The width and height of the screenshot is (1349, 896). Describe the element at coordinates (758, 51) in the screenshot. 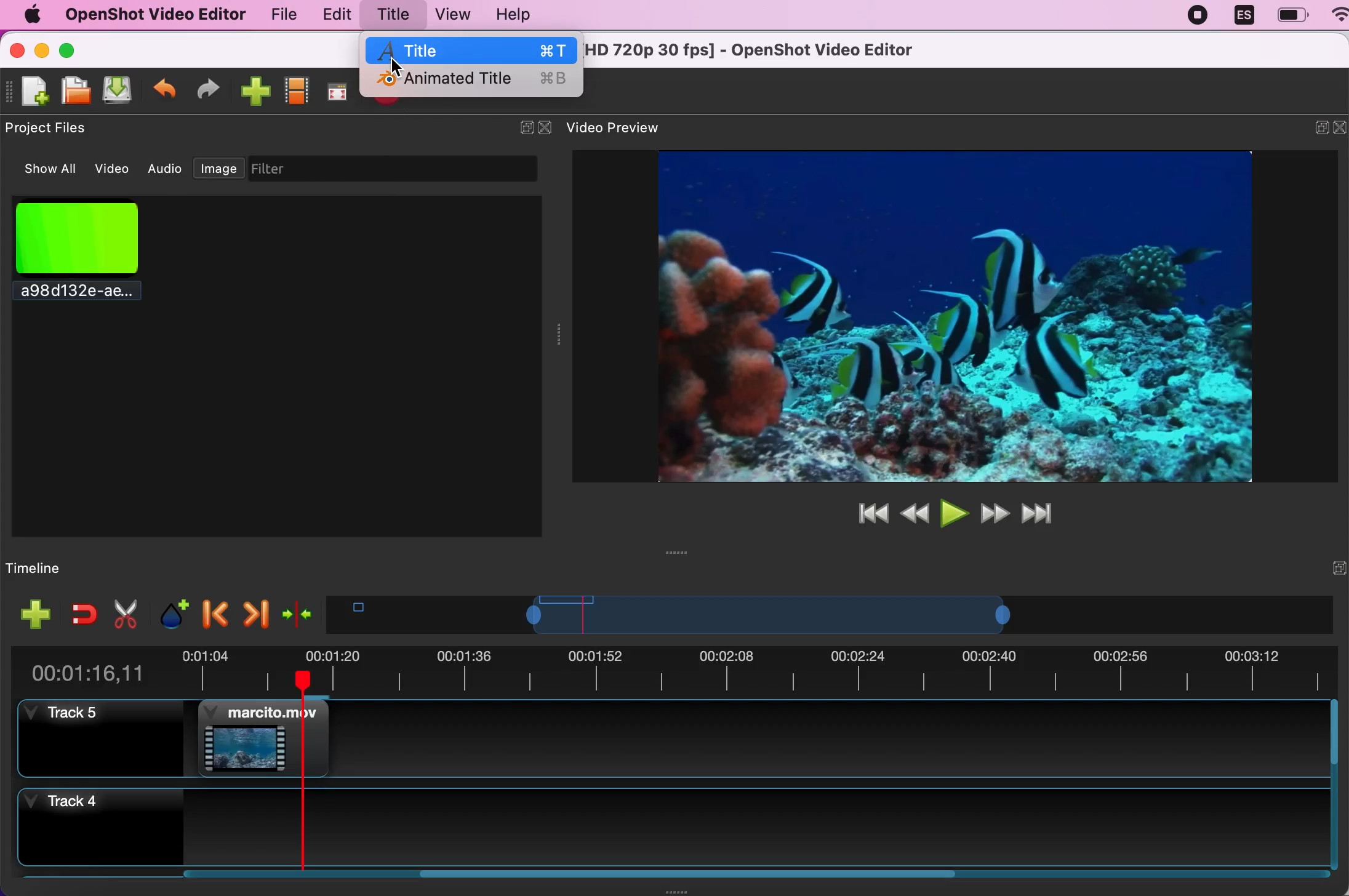

I see `title` at that location.